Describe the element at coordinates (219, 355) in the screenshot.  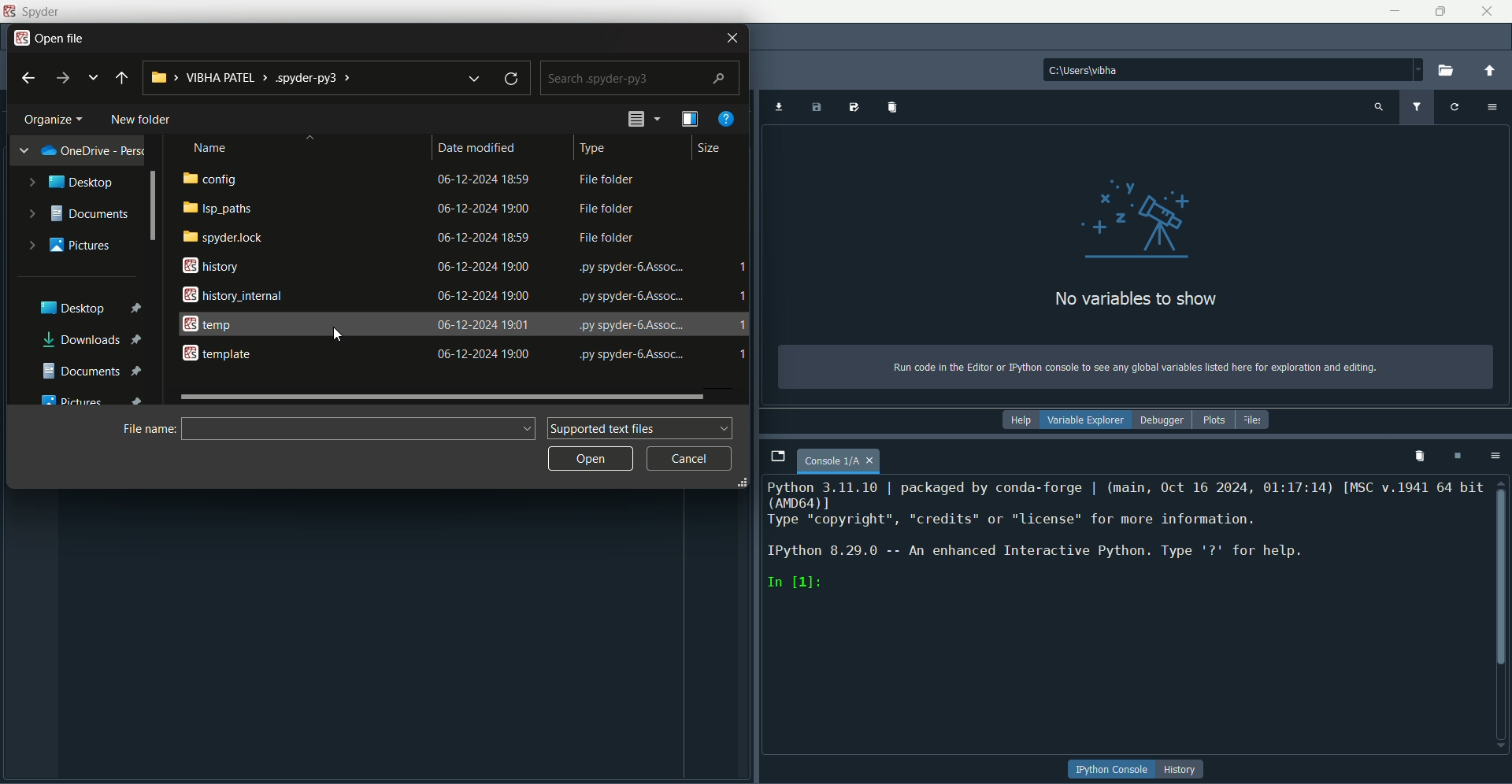
I see `template` at that location.